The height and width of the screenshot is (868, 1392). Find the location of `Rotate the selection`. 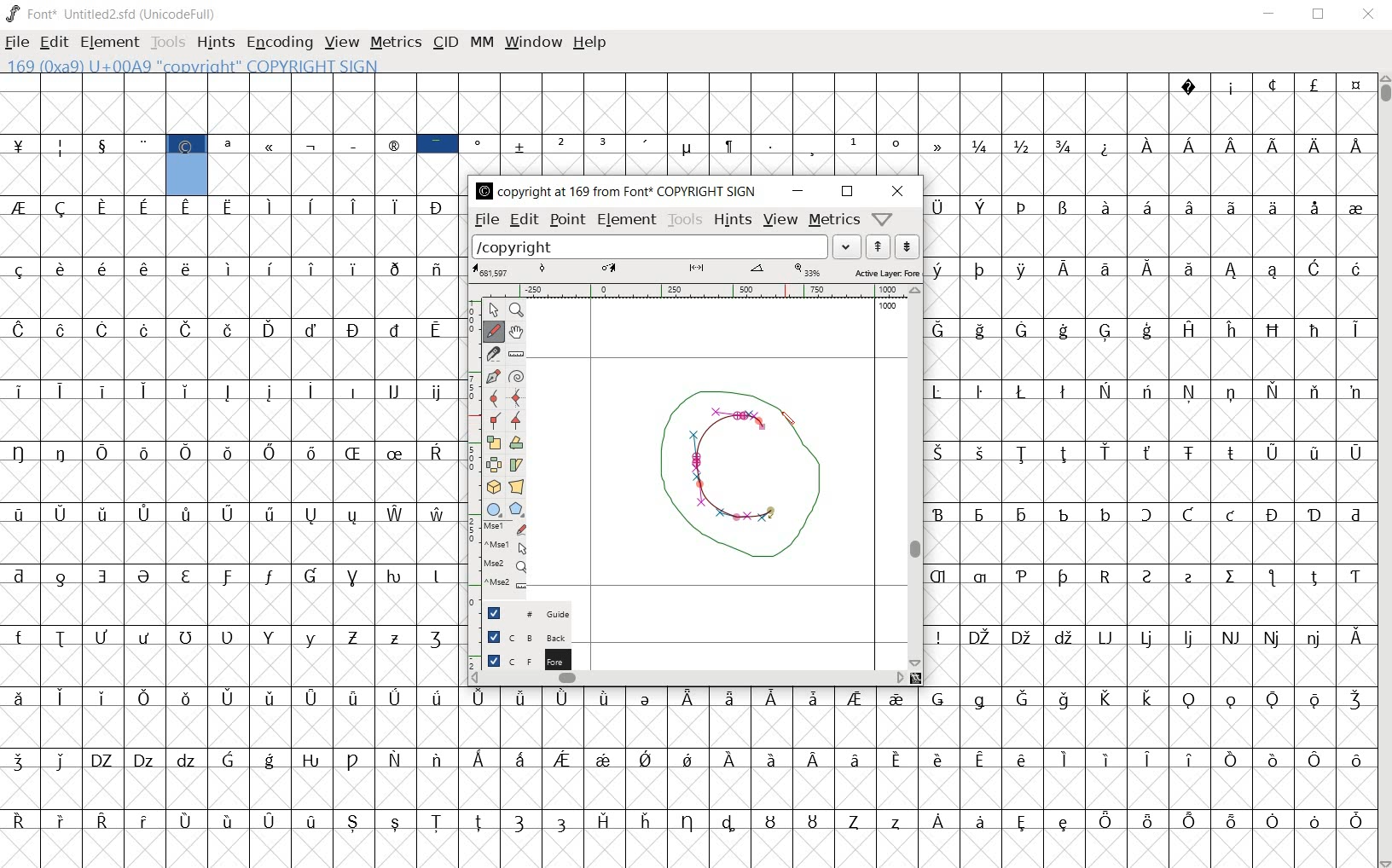

Rotate the selection is located at coordinates (518, 464).